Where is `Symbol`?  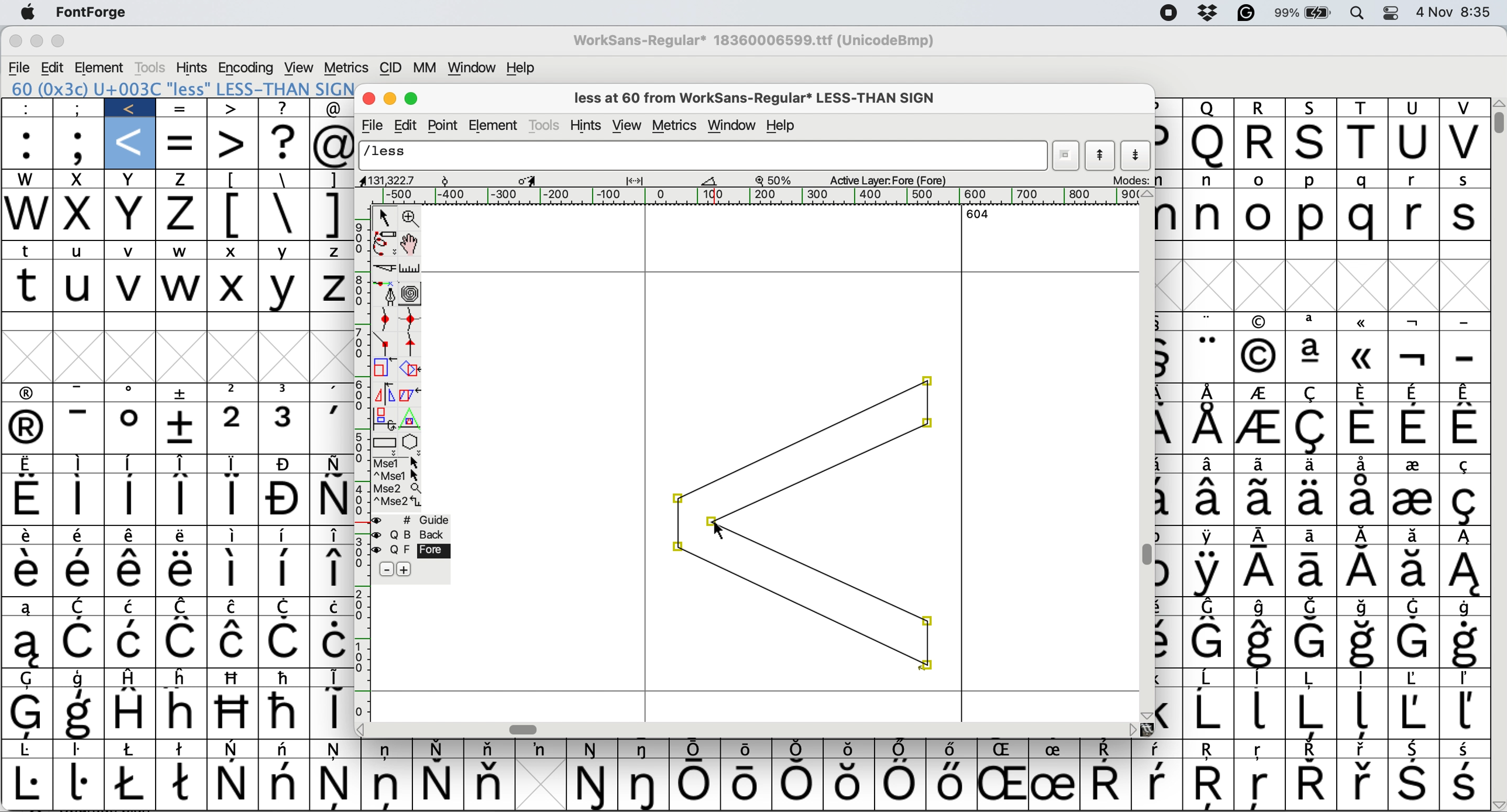
Symbol is located at coordinates (388, 749).